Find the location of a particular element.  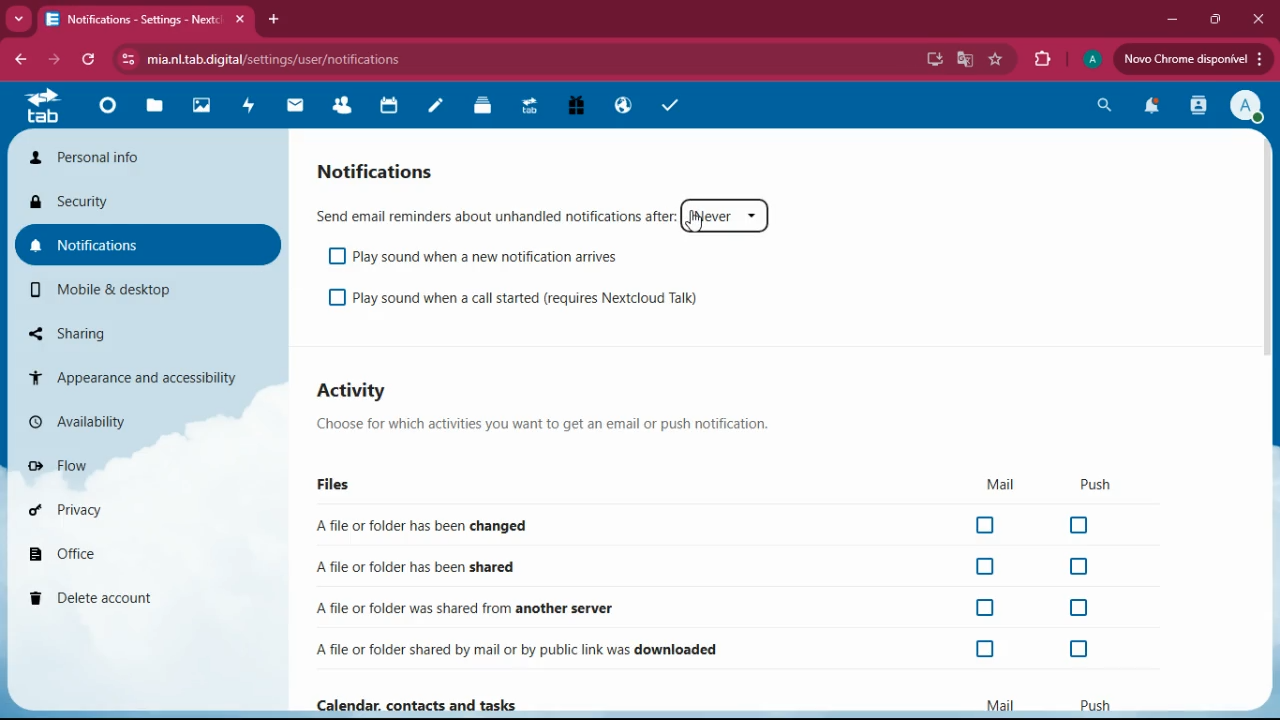

cursor is located at coordinates (695, 222).